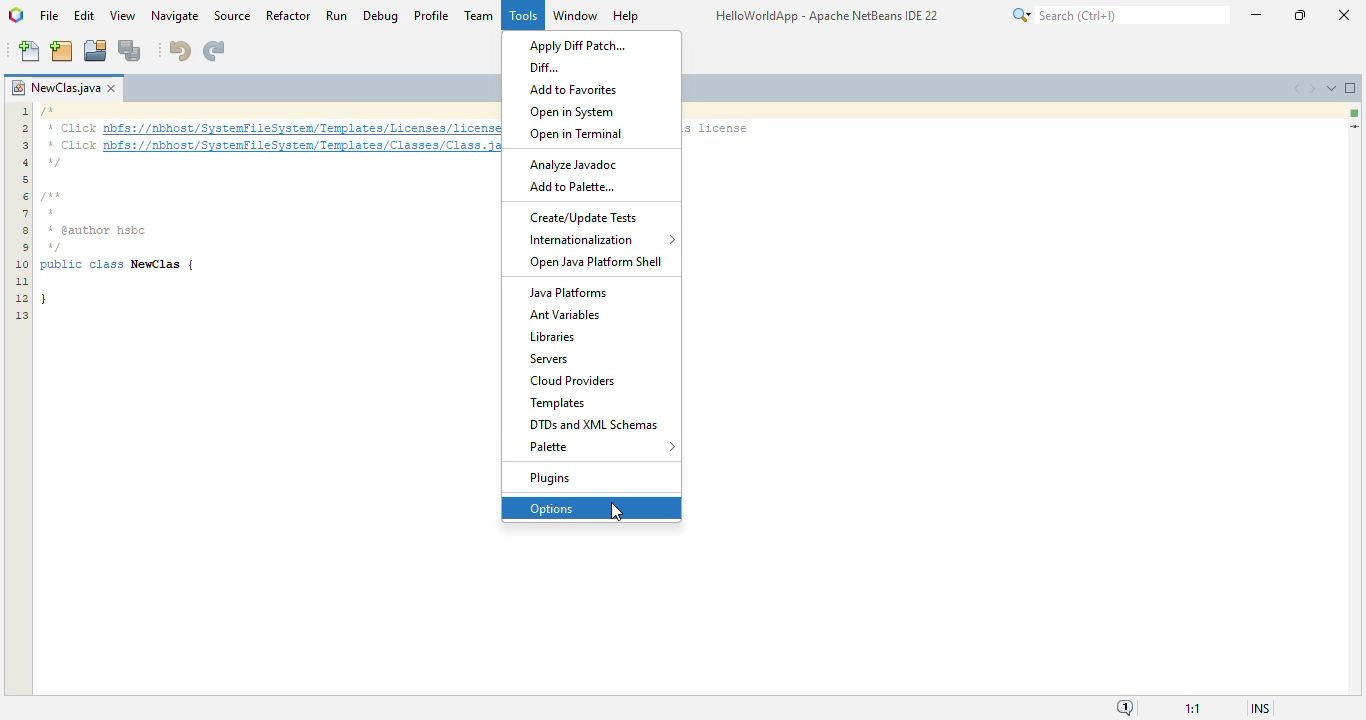 The image size is (1366, 720). I want to click on diff, so click(544, 67).